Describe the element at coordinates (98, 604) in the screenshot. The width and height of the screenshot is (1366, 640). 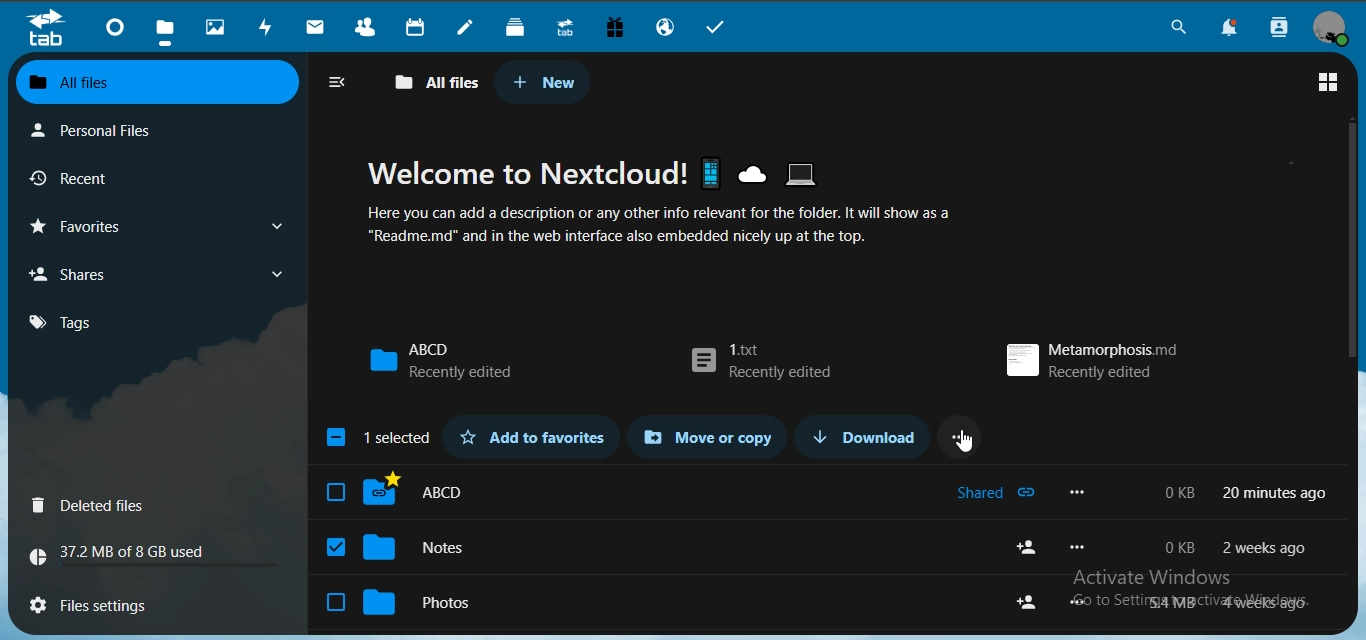
I see `files settings` at that location.